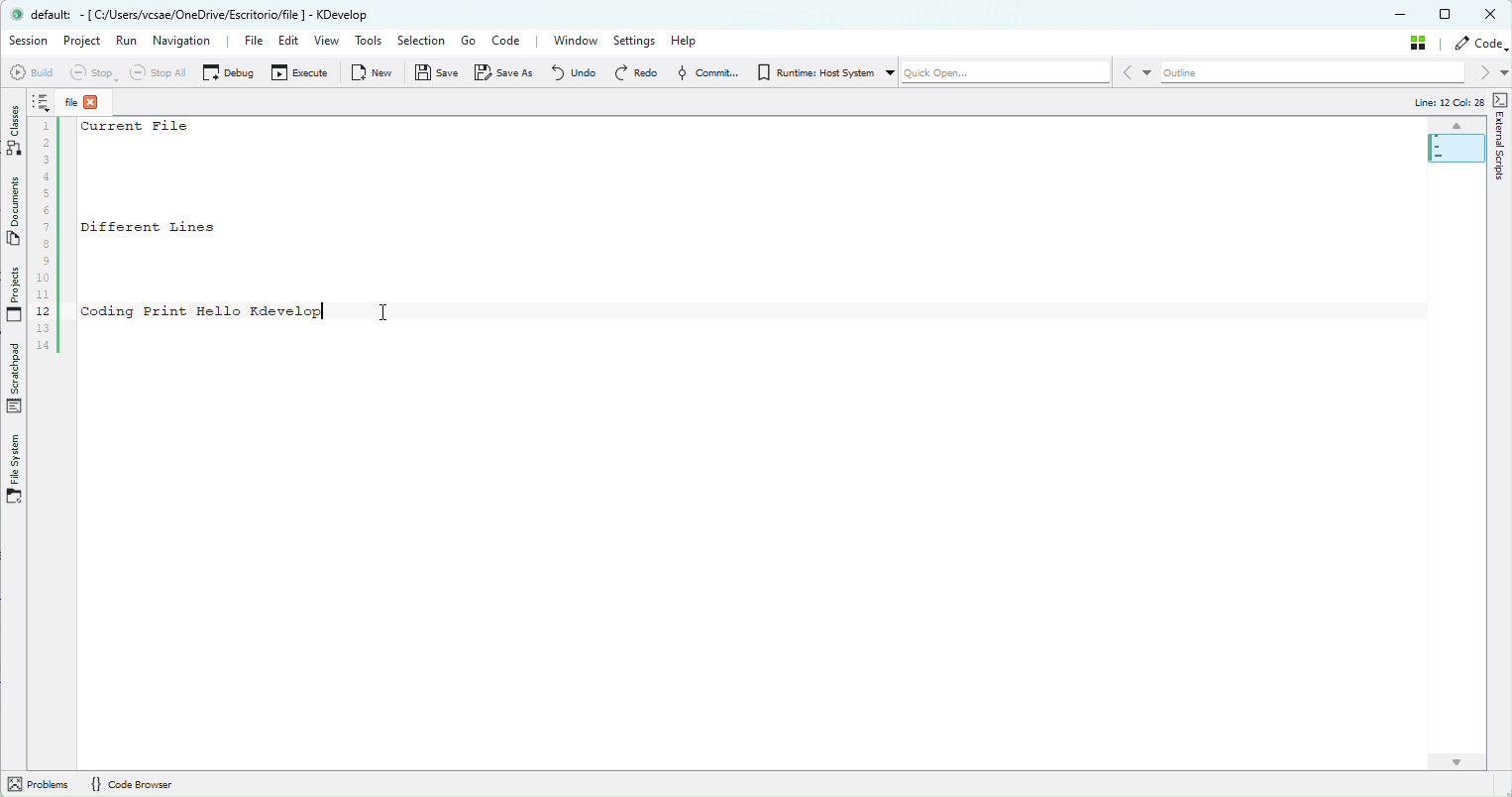 Image resolution: width=1512 pixels, height=797 pixels. Describe the element at coordinates (470, 40) in the screenshot. I see `Go` at that location.